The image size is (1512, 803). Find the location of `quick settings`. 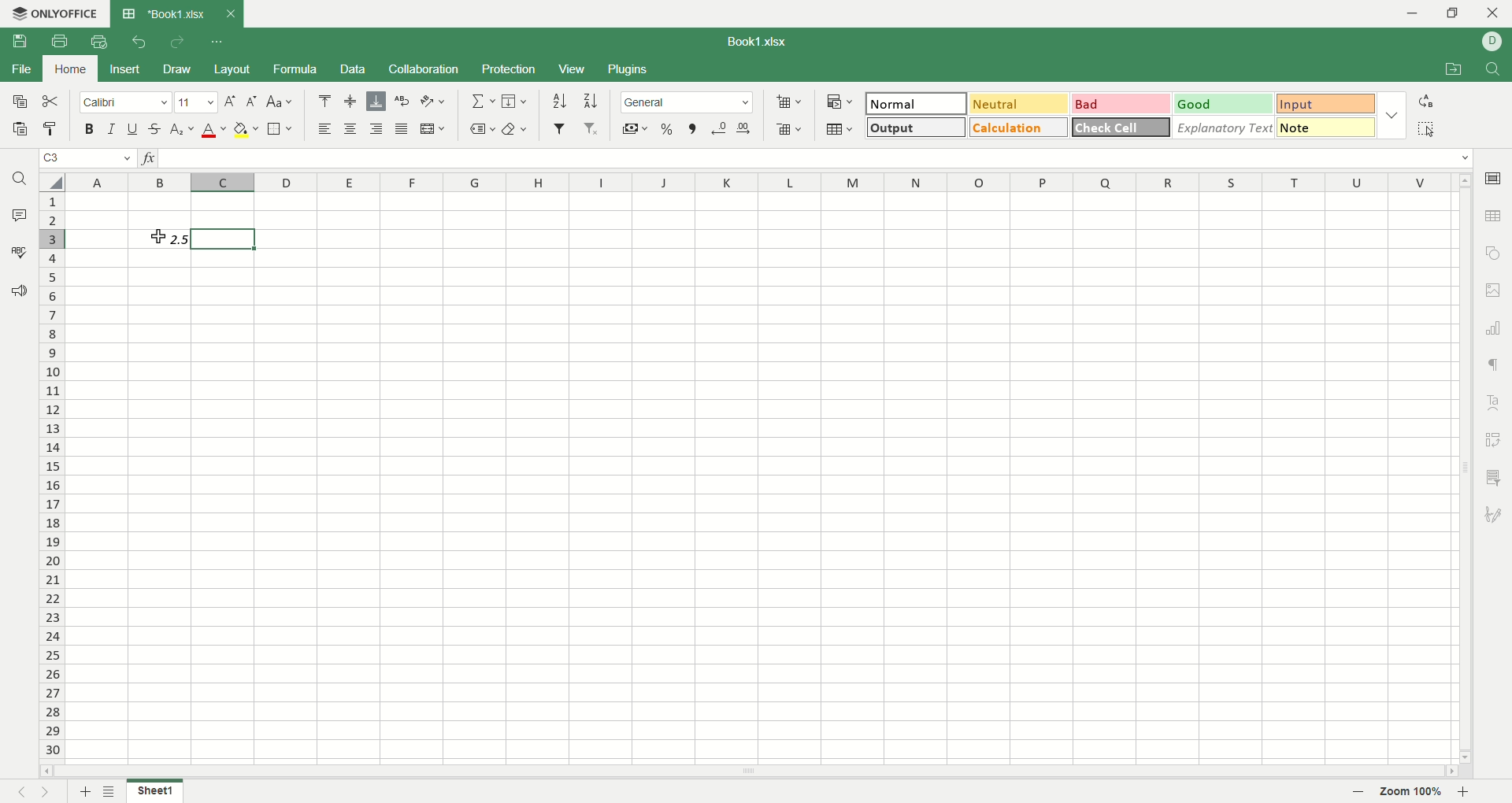

quick settings is located at coordinates (215, 41).